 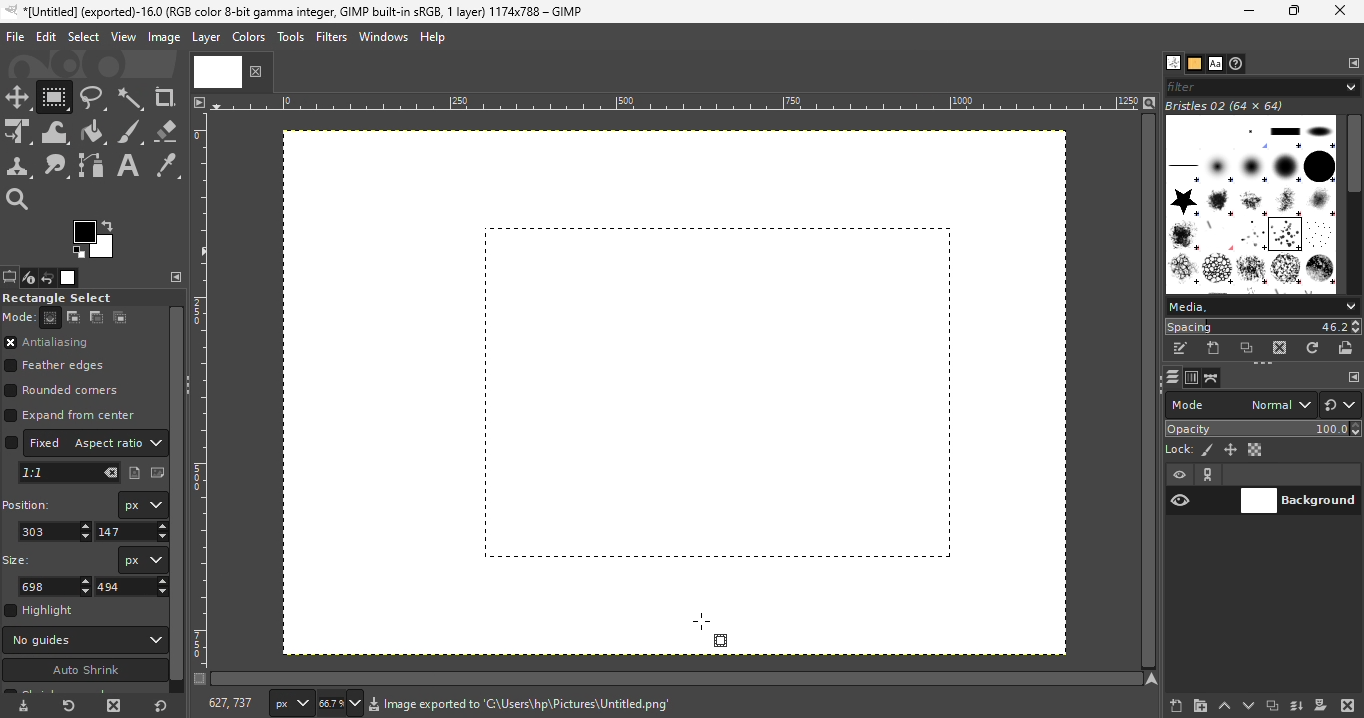 What do you see at coordinates (1250, 703) in the screenshot?
I see `Lower this layer` at bounding box center [1250, 703].